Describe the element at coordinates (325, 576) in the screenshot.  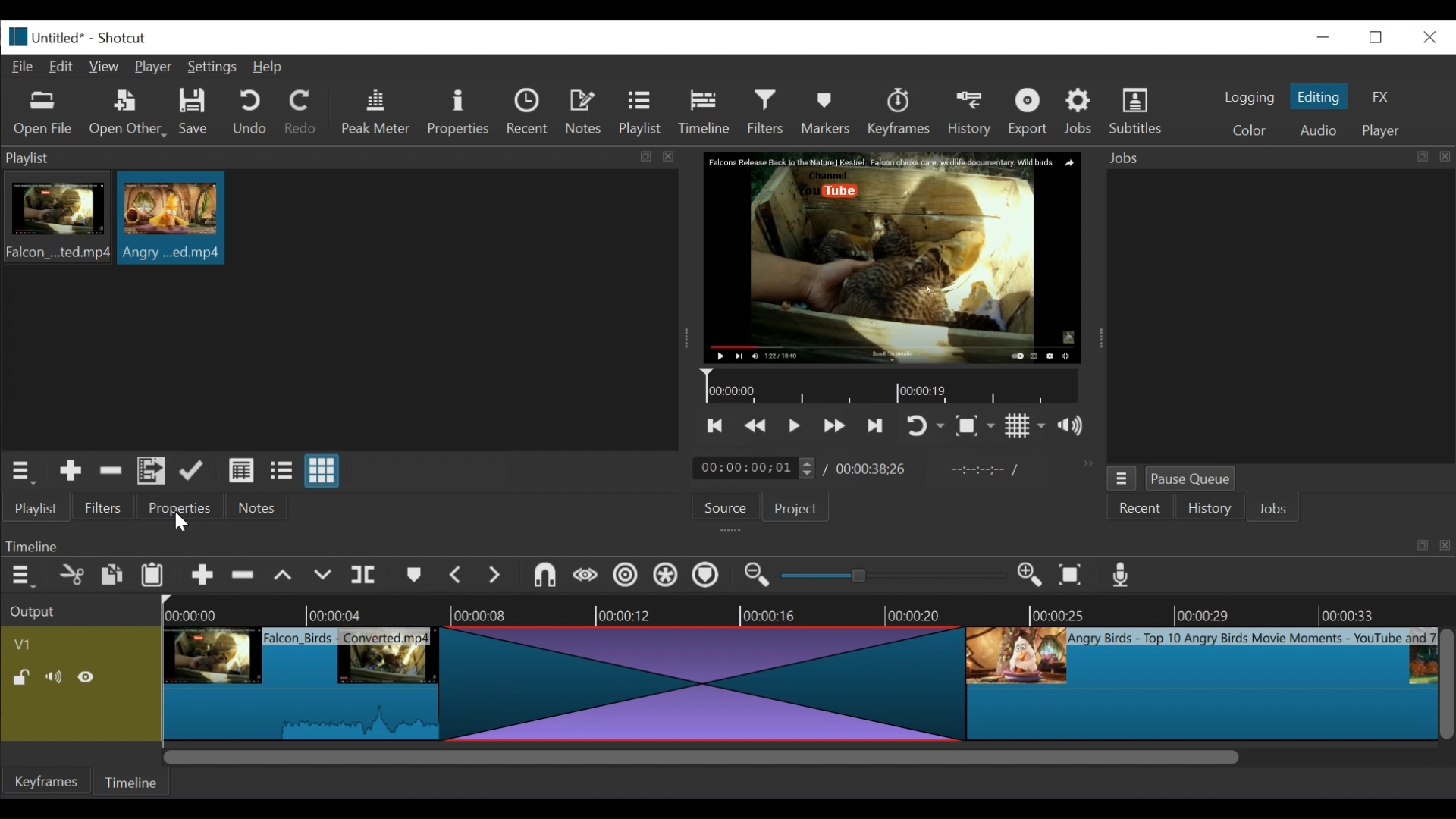
I see `overwrite` at that location.